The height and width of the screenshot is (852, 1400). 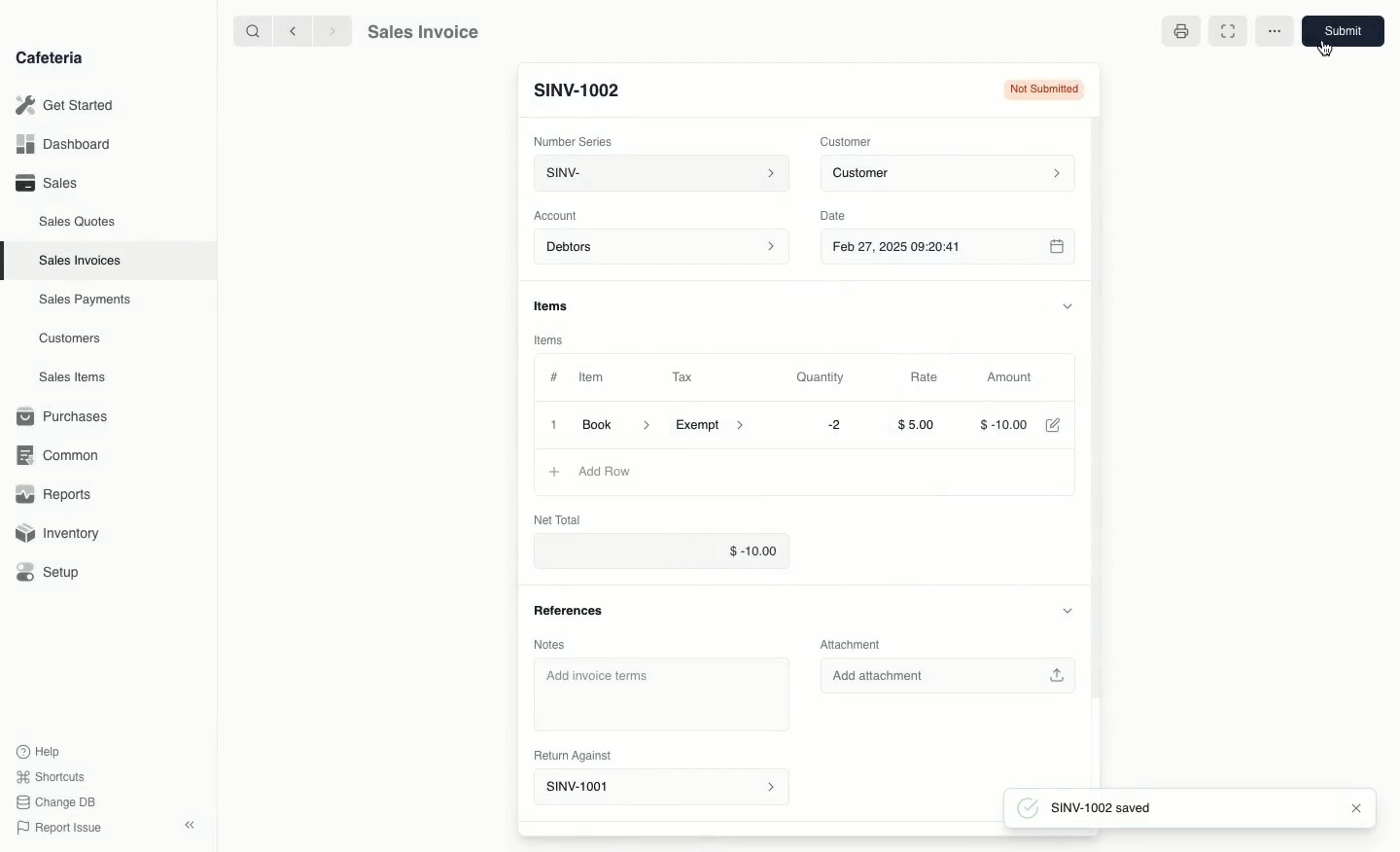 I want to click on Report Issue, so click(x=63, y=826).